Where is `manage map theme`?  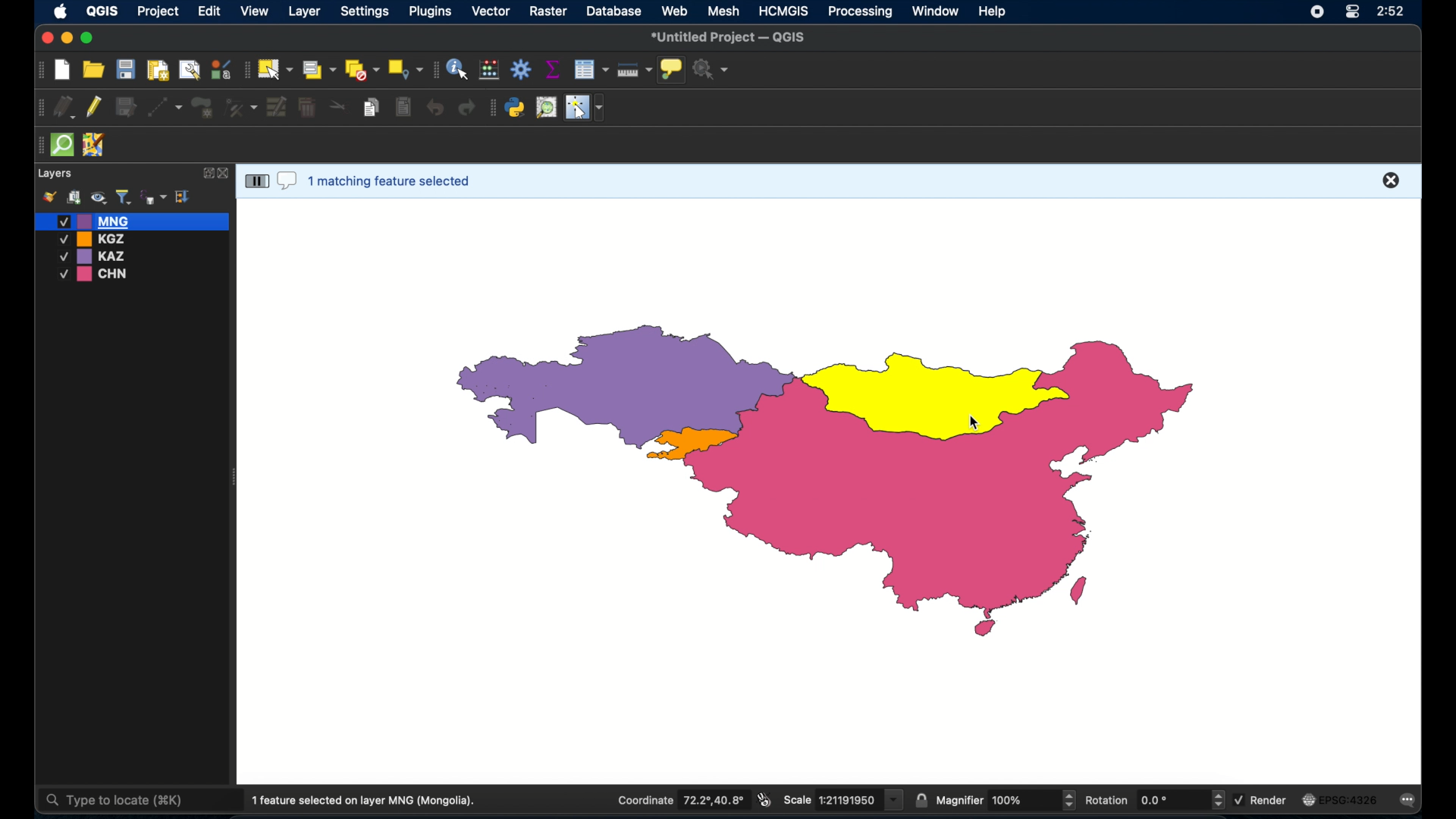
manage map theme is located at coordinates (98, 198).